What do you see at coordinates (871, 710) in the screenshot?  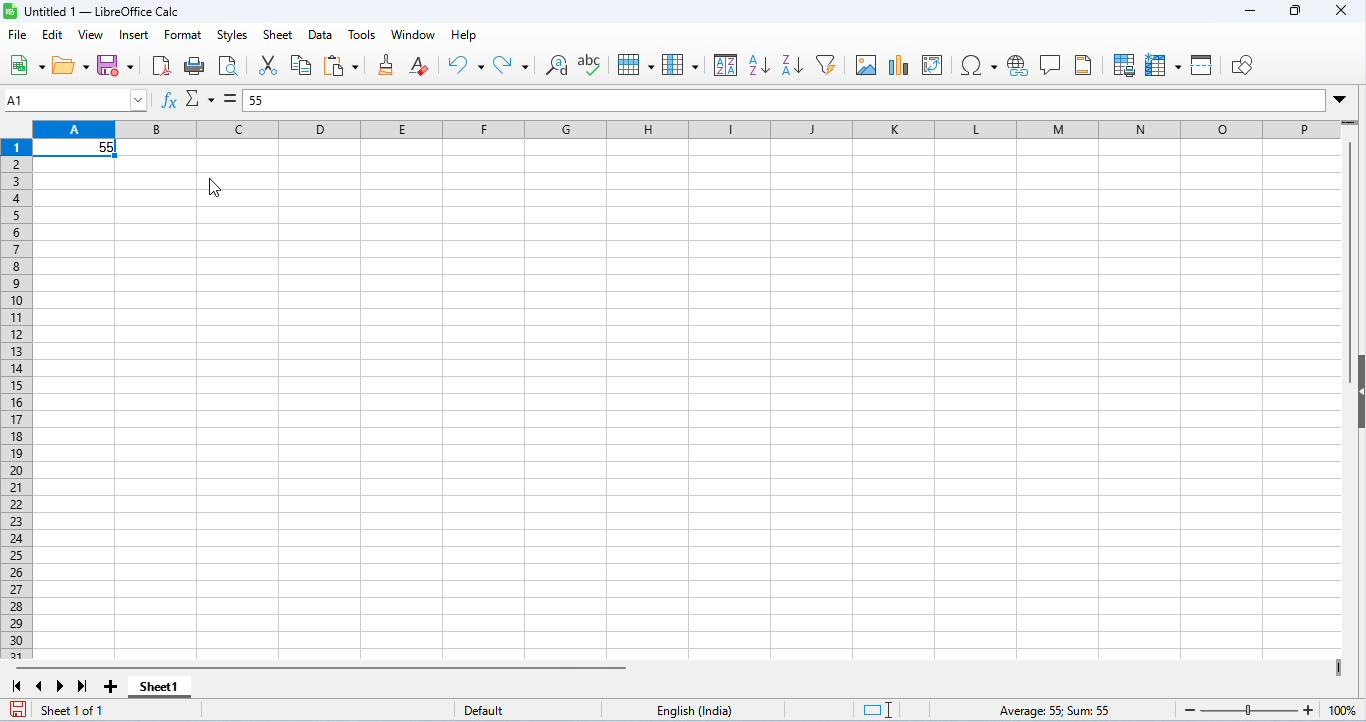 I see `standard selection` at bounding box center [871, 710].